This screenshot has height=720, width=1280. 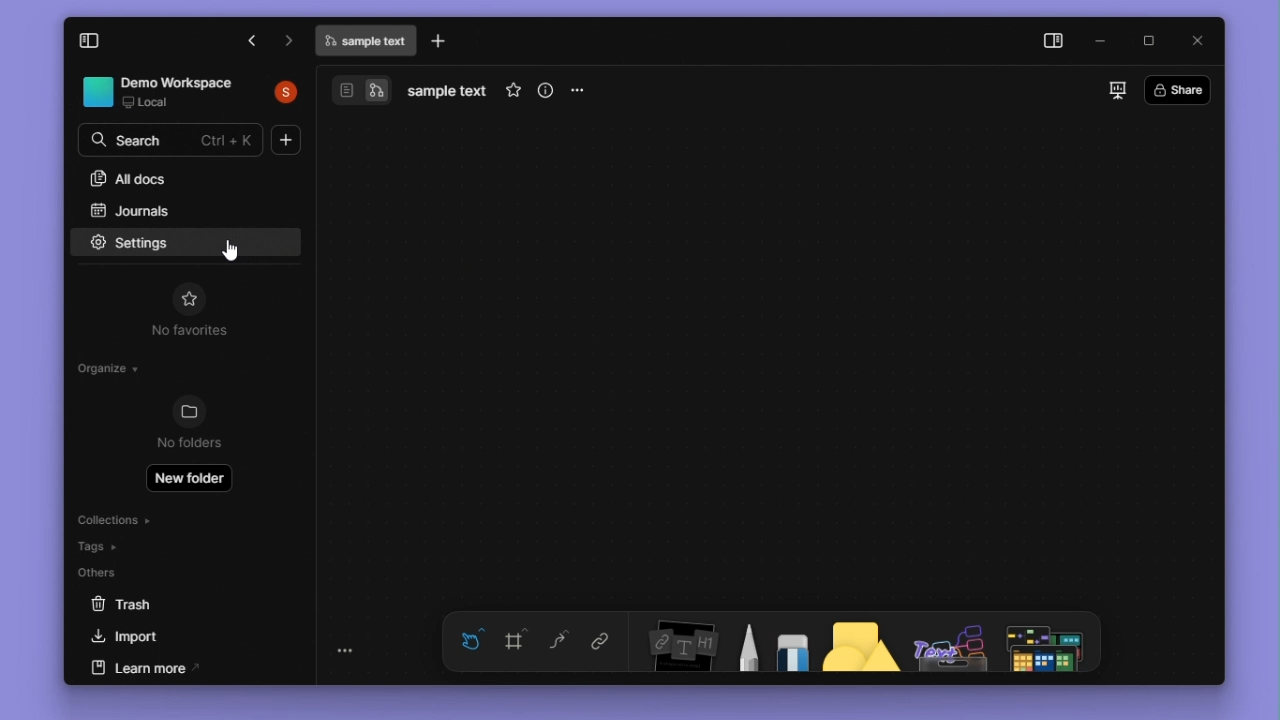 I want to click on New folder, so click(x=190, y=477).